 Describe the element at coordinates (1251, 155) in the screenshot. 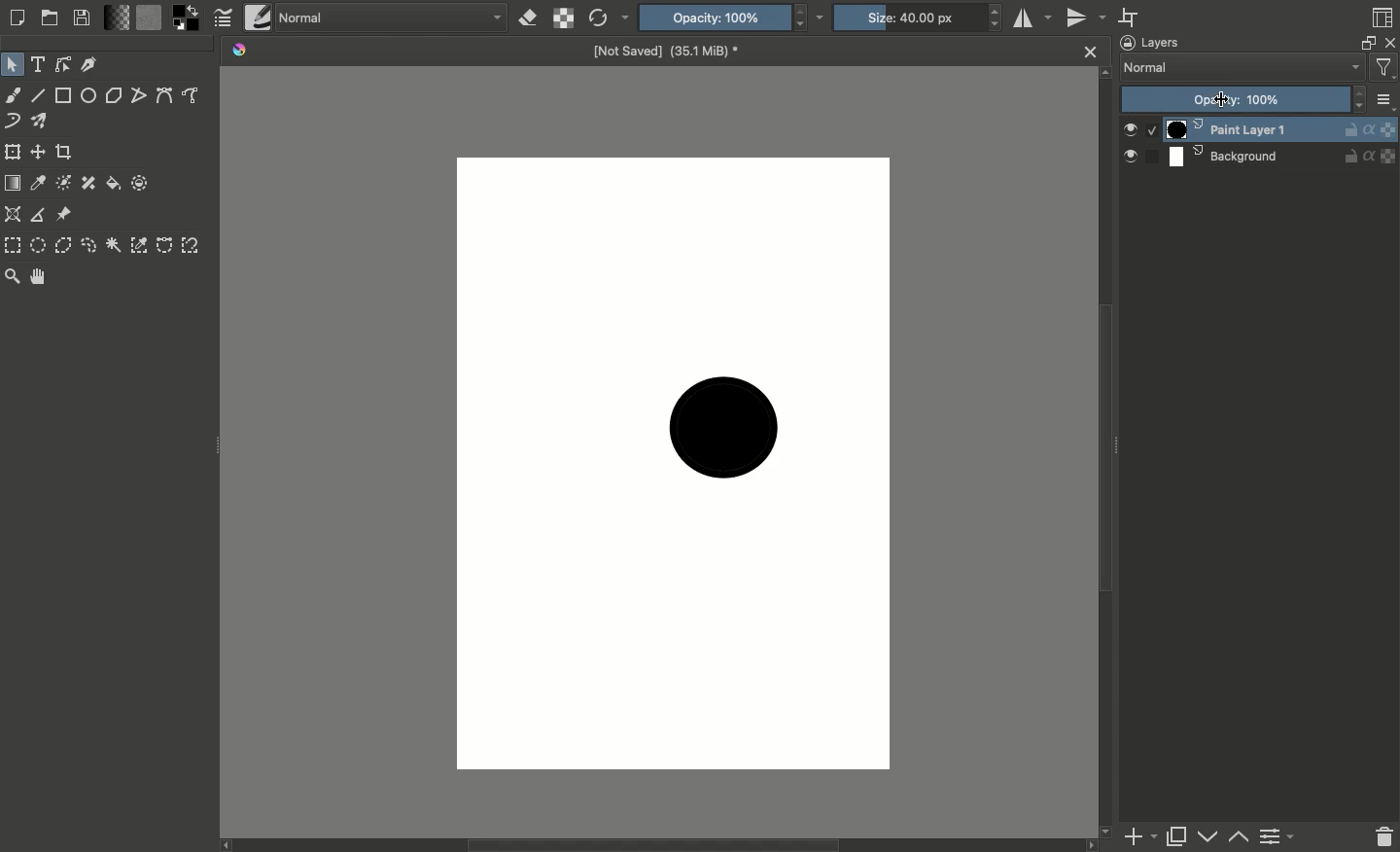

I see `Background` at that location.